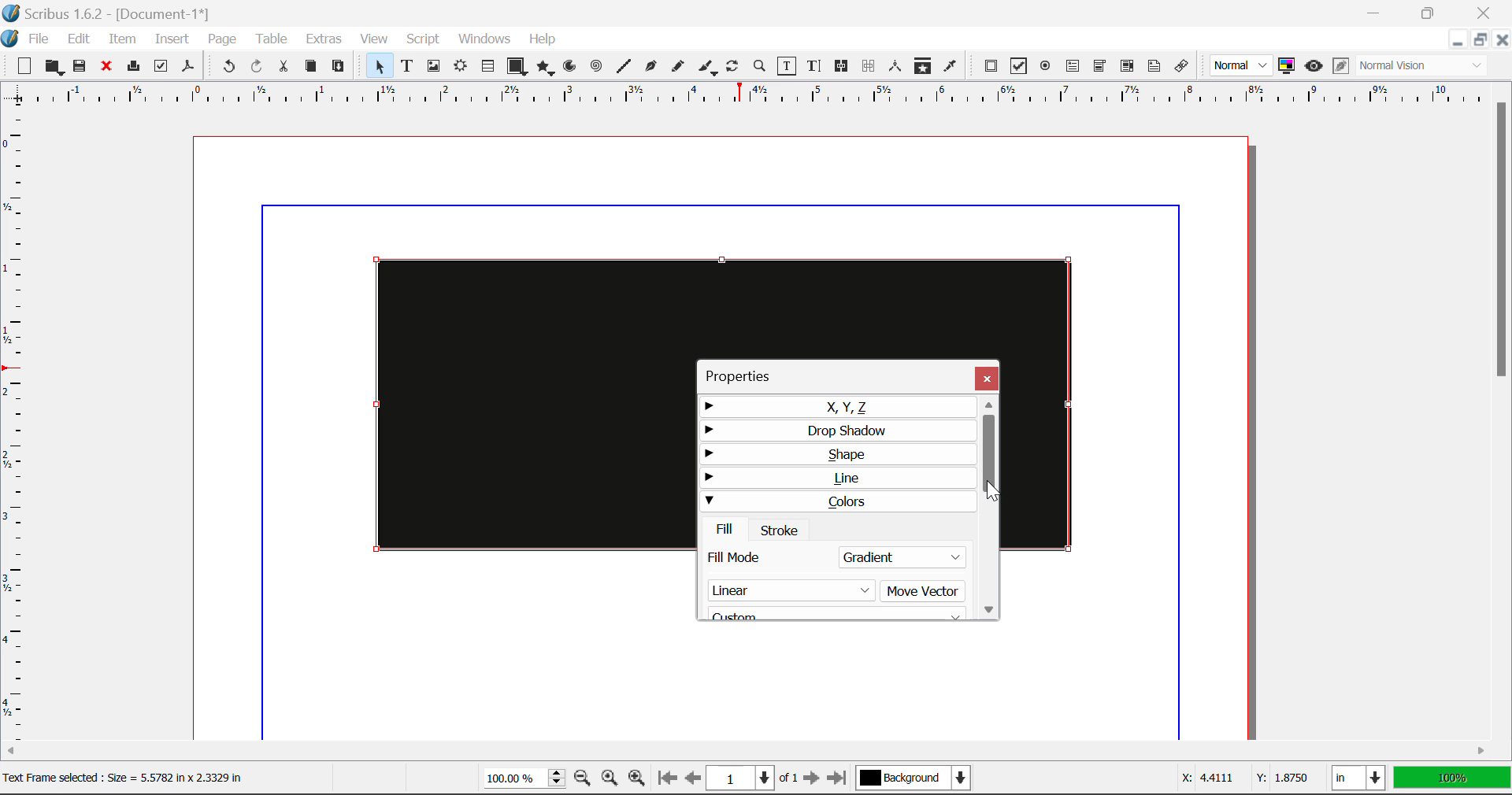 The image size is (1512, 795). Describe the element at coordinates (917, 780) in the screenshot. I see `Background` at that location.